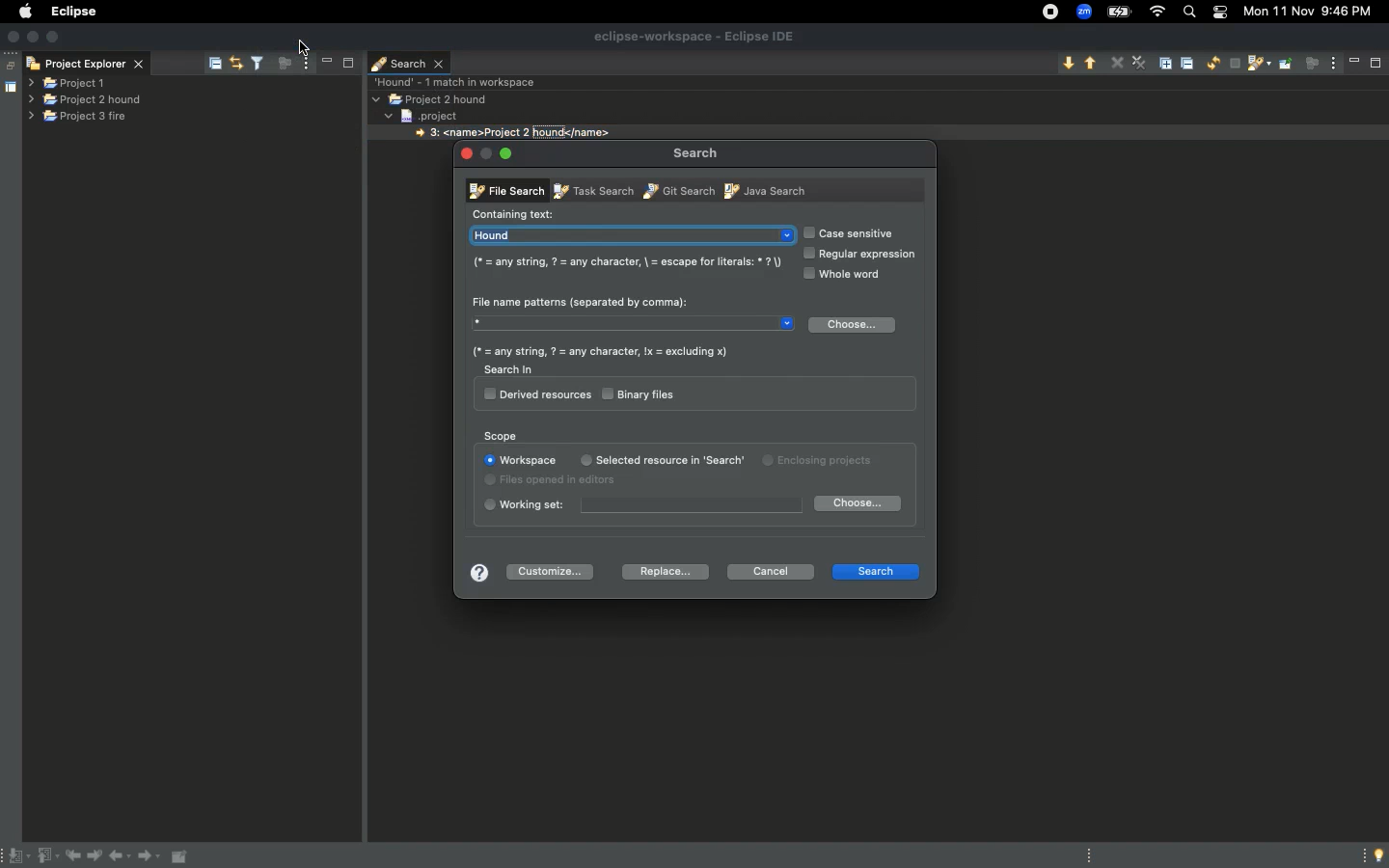 The image size is (1389, 868). What do you see at coordinates (1190, 66) in the screenshot?
I see `Collapse all` at bounding box center [1190, 66].